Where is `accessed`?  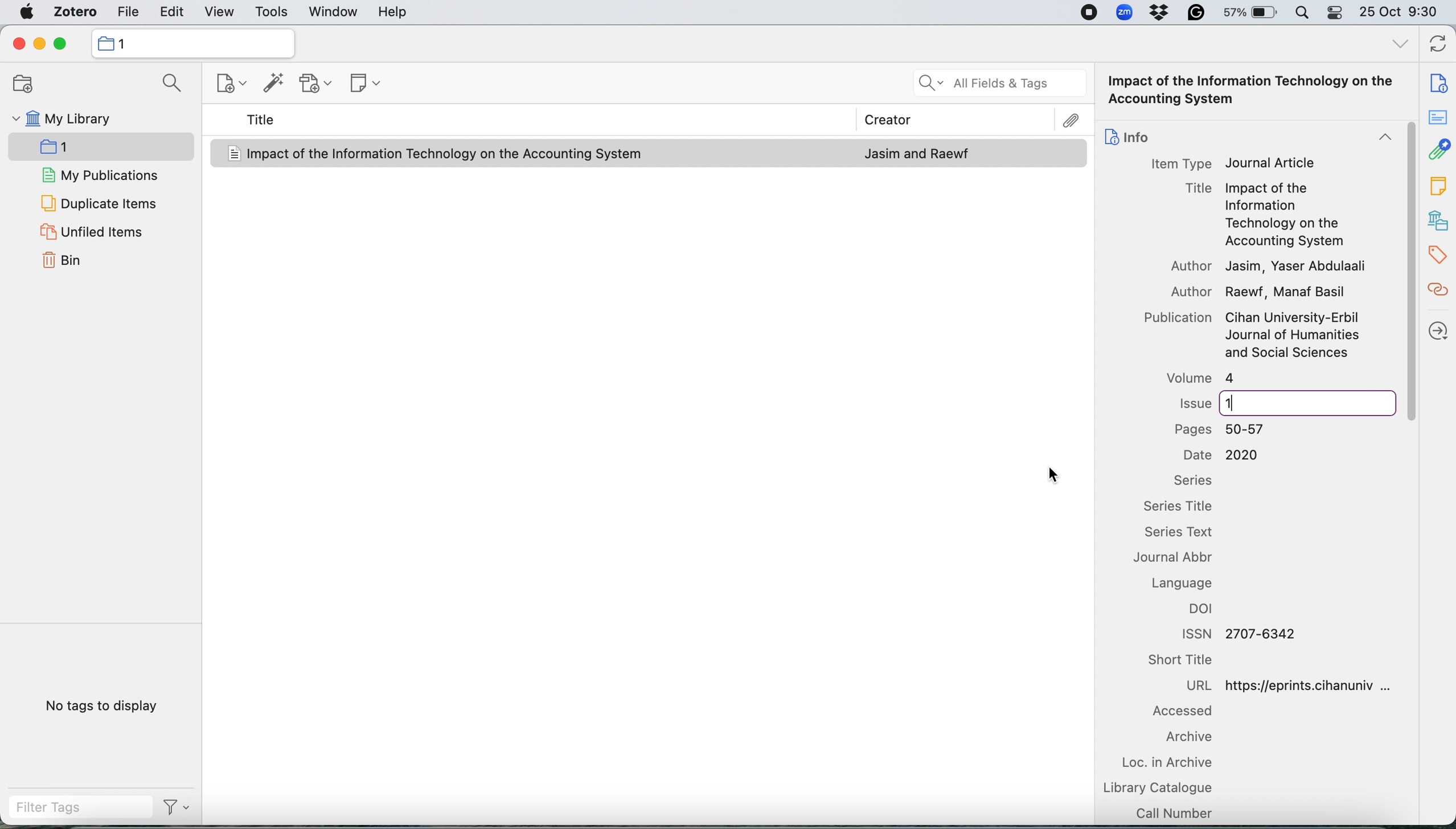
accessed is located at coordinates (1180, 713).